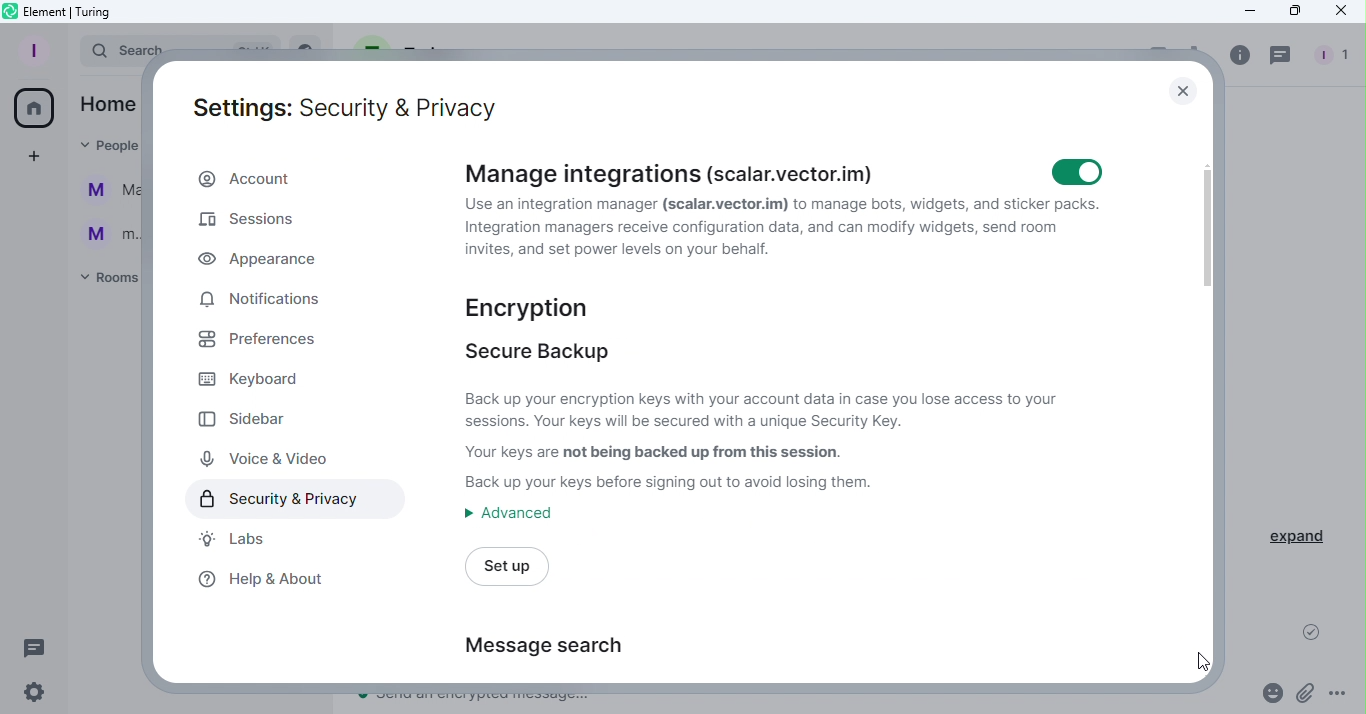 This screenshot has height=714, width=1366. What do you see at coordinates (249, 419) in the screenshot?
I see `Sidebar` at bounding box center [249, 419].